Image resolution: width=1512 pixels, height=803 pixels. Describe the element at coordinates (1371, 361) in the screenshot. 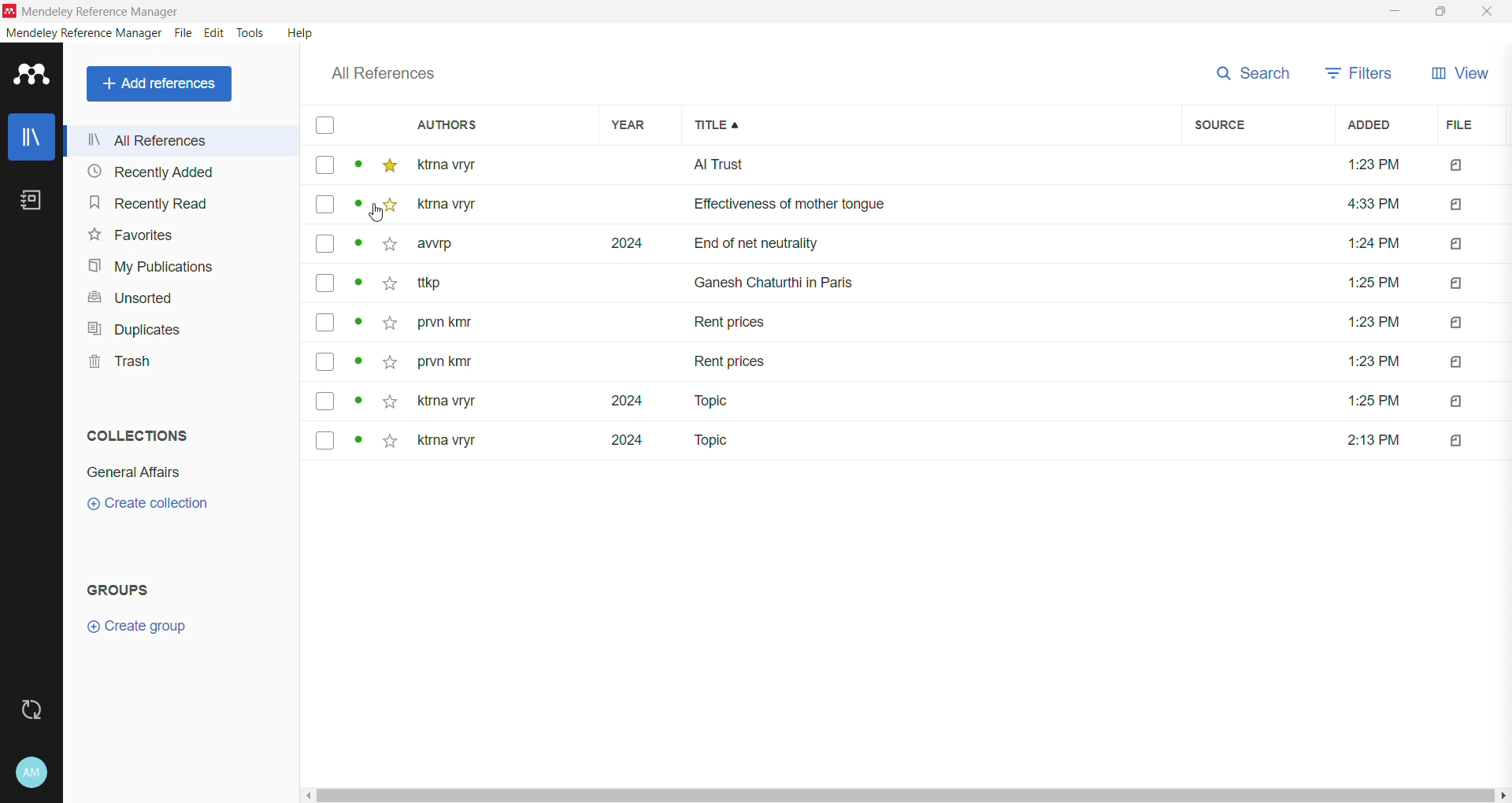

I see `` at that location.